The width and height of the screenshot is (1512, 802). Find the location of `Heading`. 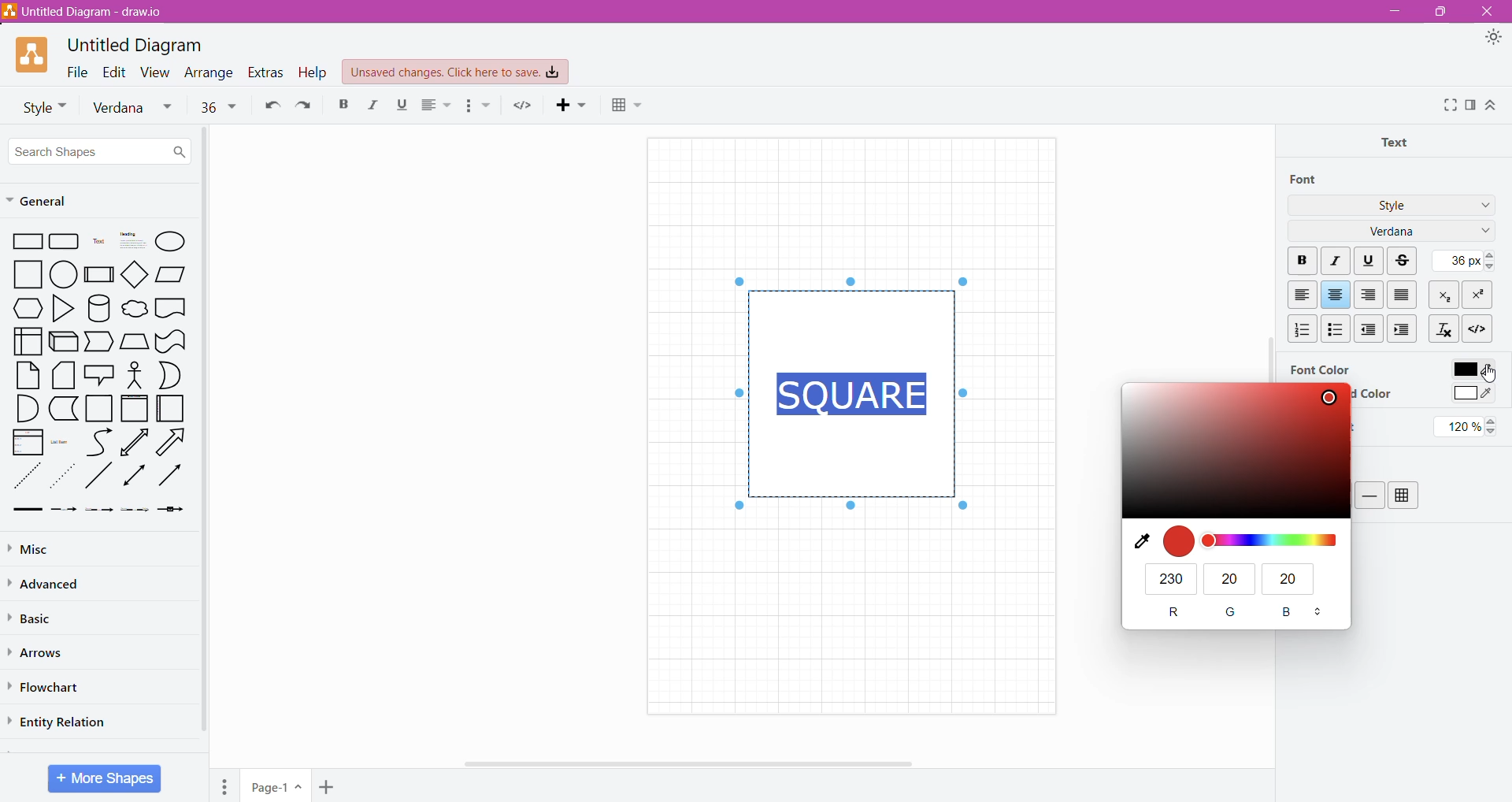

Heading is located at coordinates (132, 240).